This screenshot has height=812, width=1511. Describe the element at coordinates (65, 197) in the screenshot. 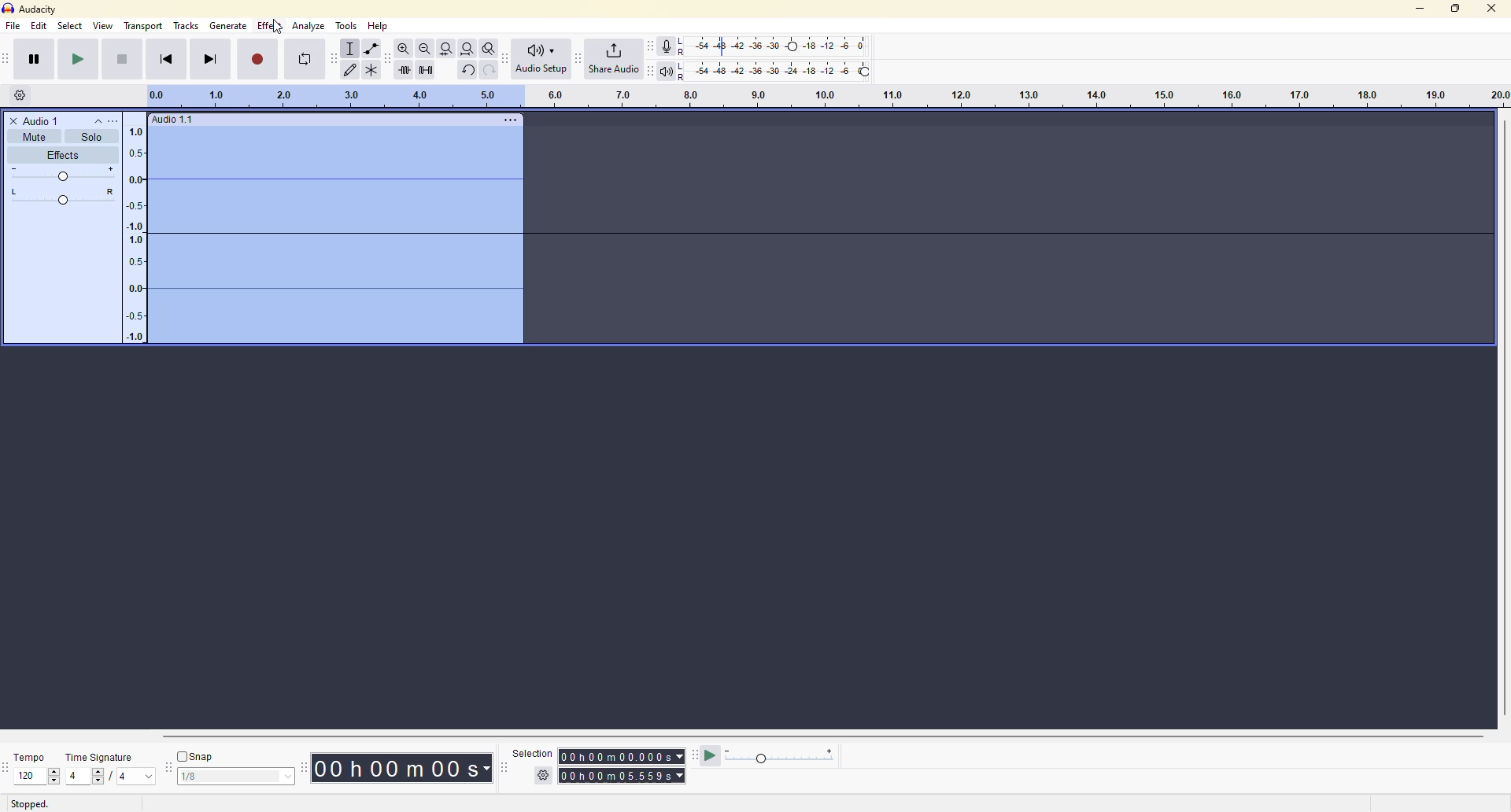

I see `adjust` at that location.